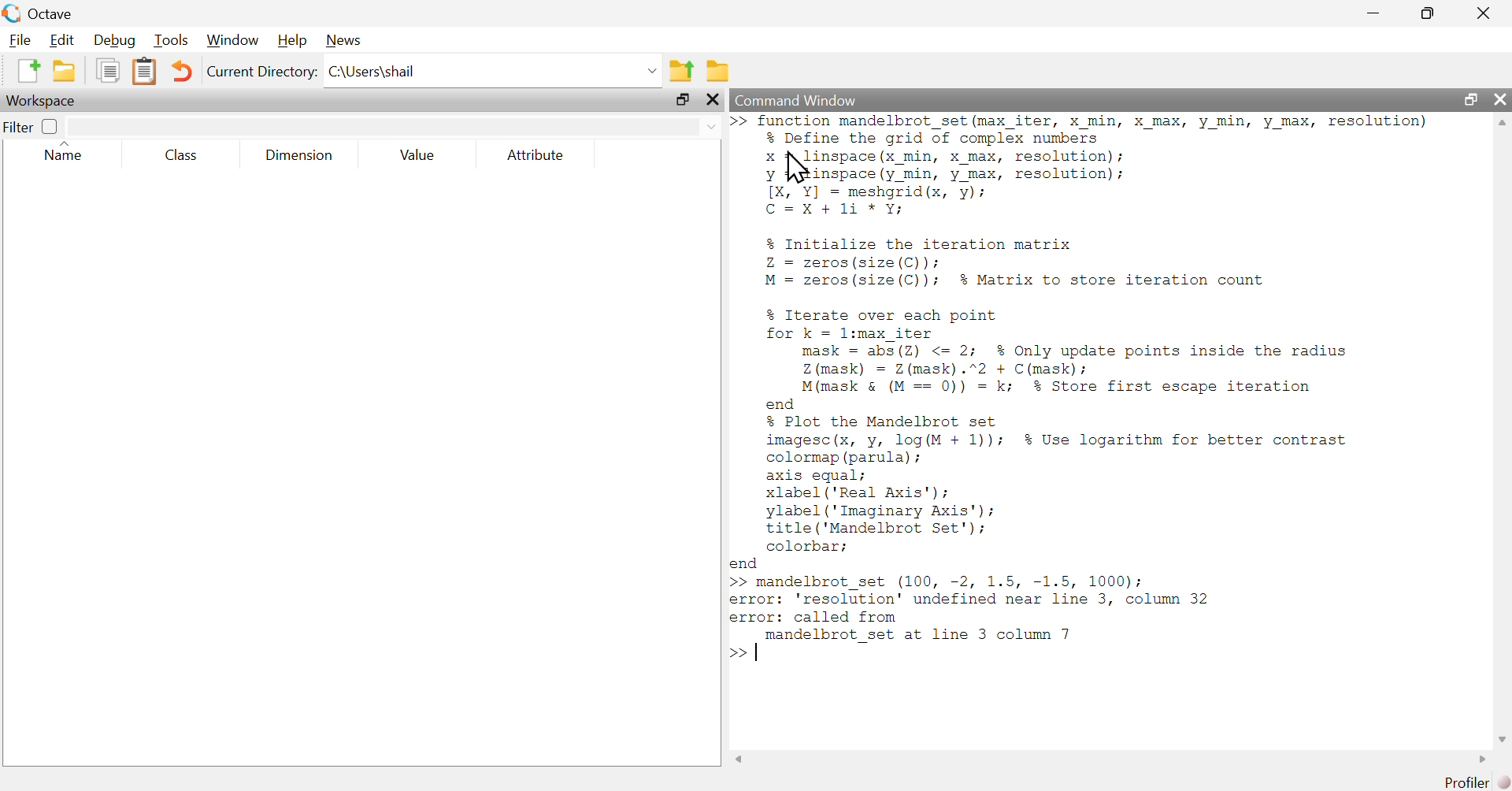  I want to click on New script, so click(28, 71).